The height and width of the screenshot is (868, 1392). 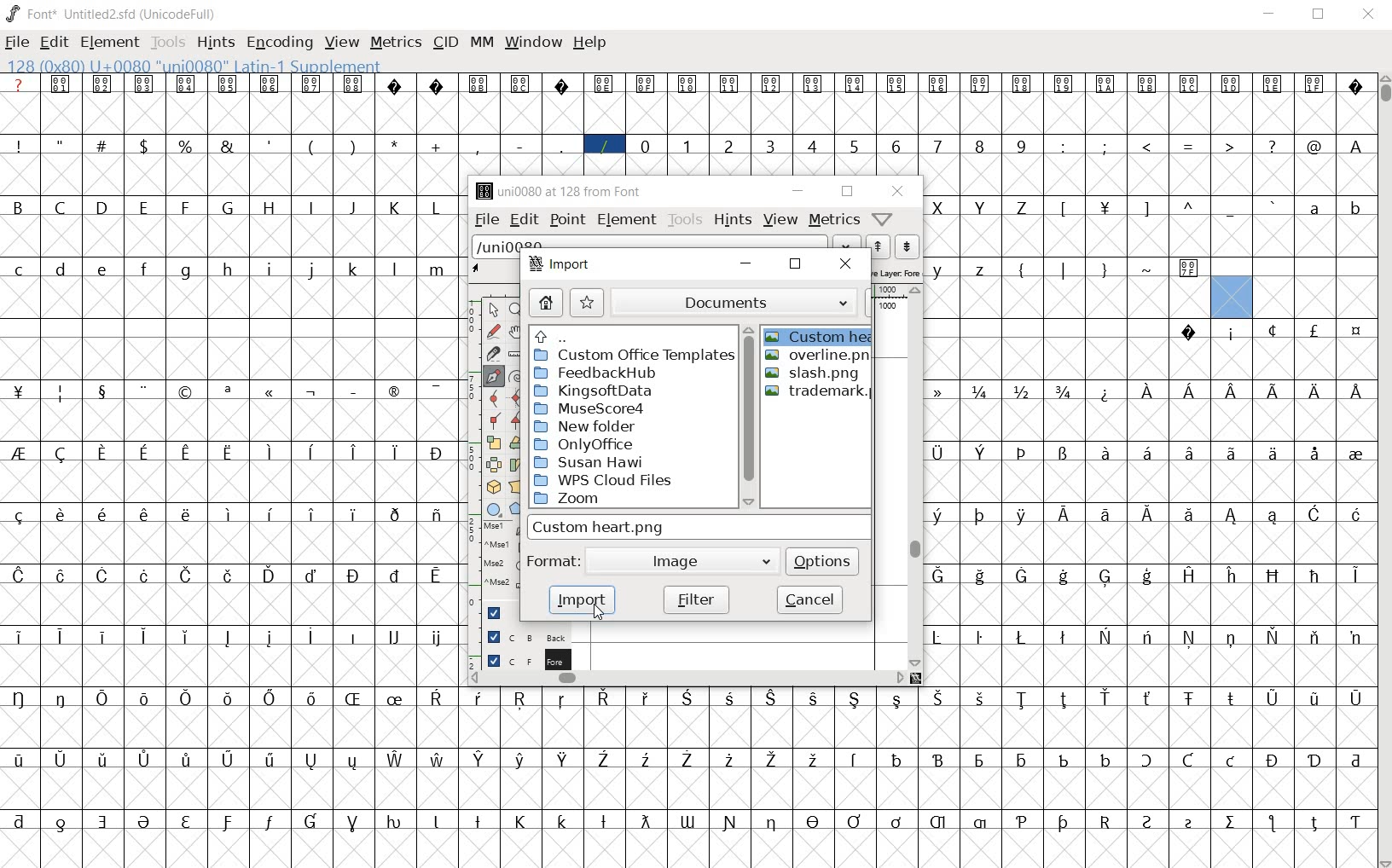 I want to click on glyph, so click(x=184, y=272).